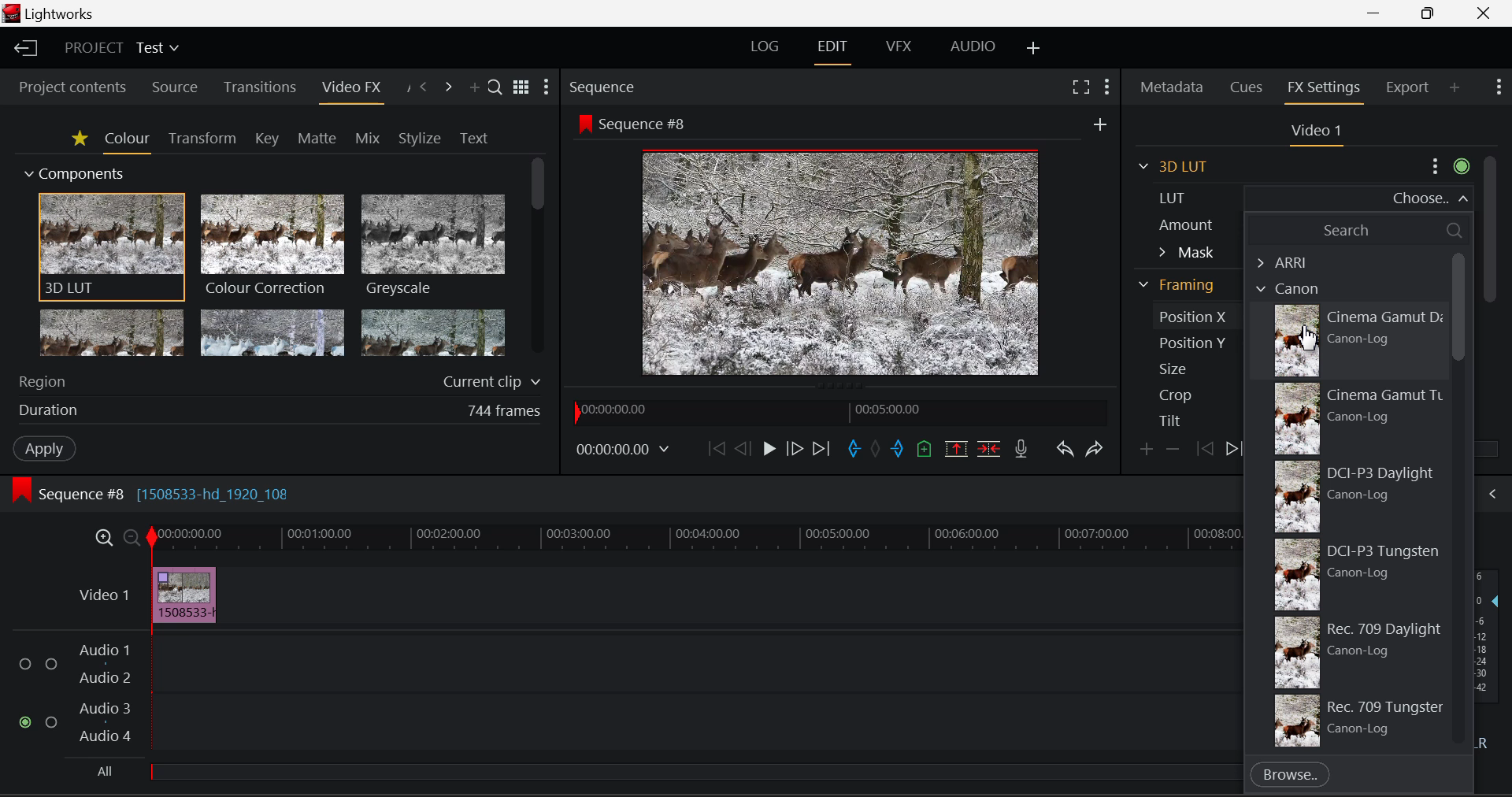 The width and height of the screenshot is (1512, 797). What do you see at coordinates (1304, 261) in the screenshot?
I see `ARRI` at bounding box center [1304, 261].